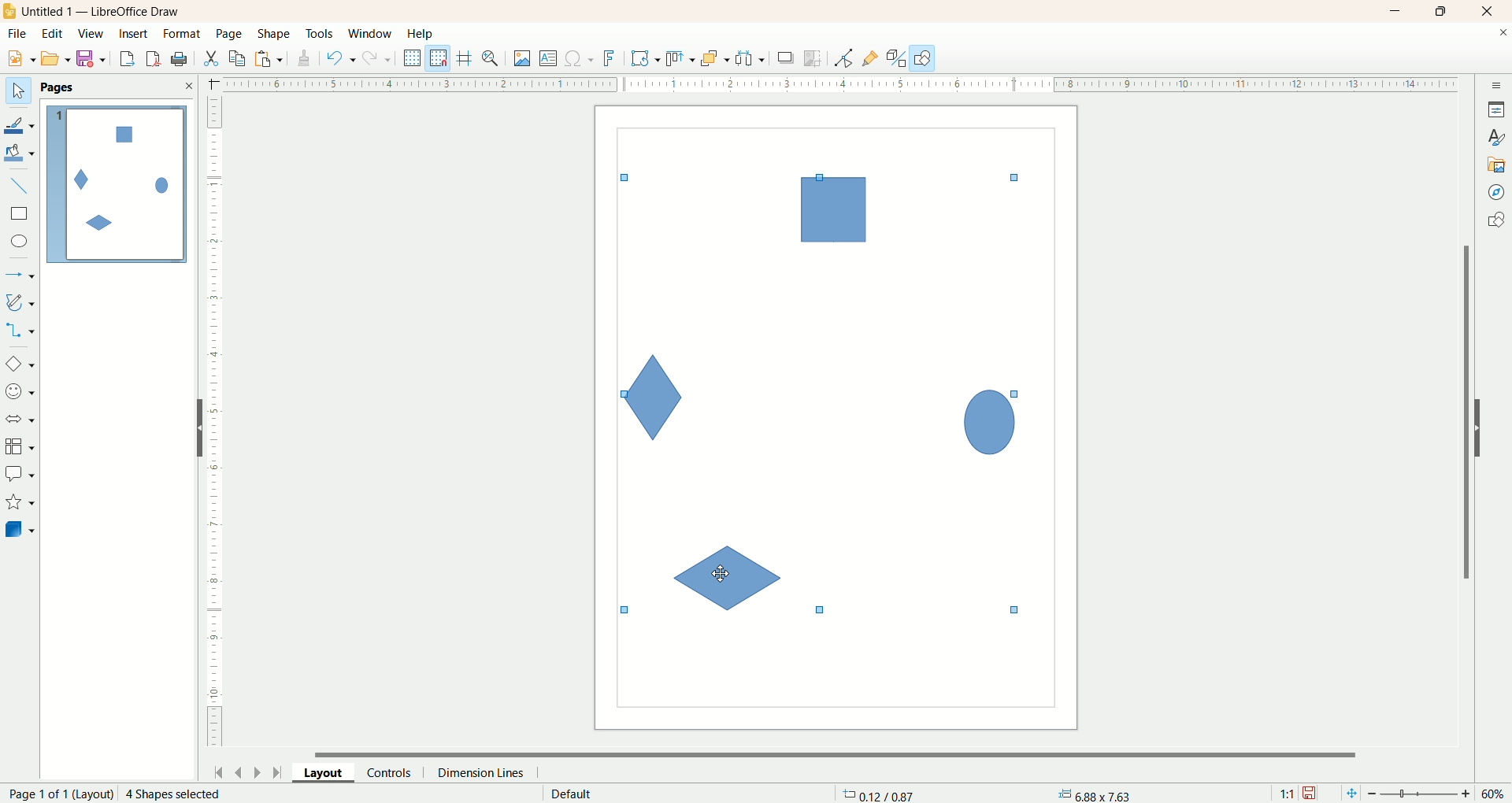 The height and width of the screenshot is (803, 1512). Describe the element at coordinates (155, 58) in the screenshot. I see `print` at that location.